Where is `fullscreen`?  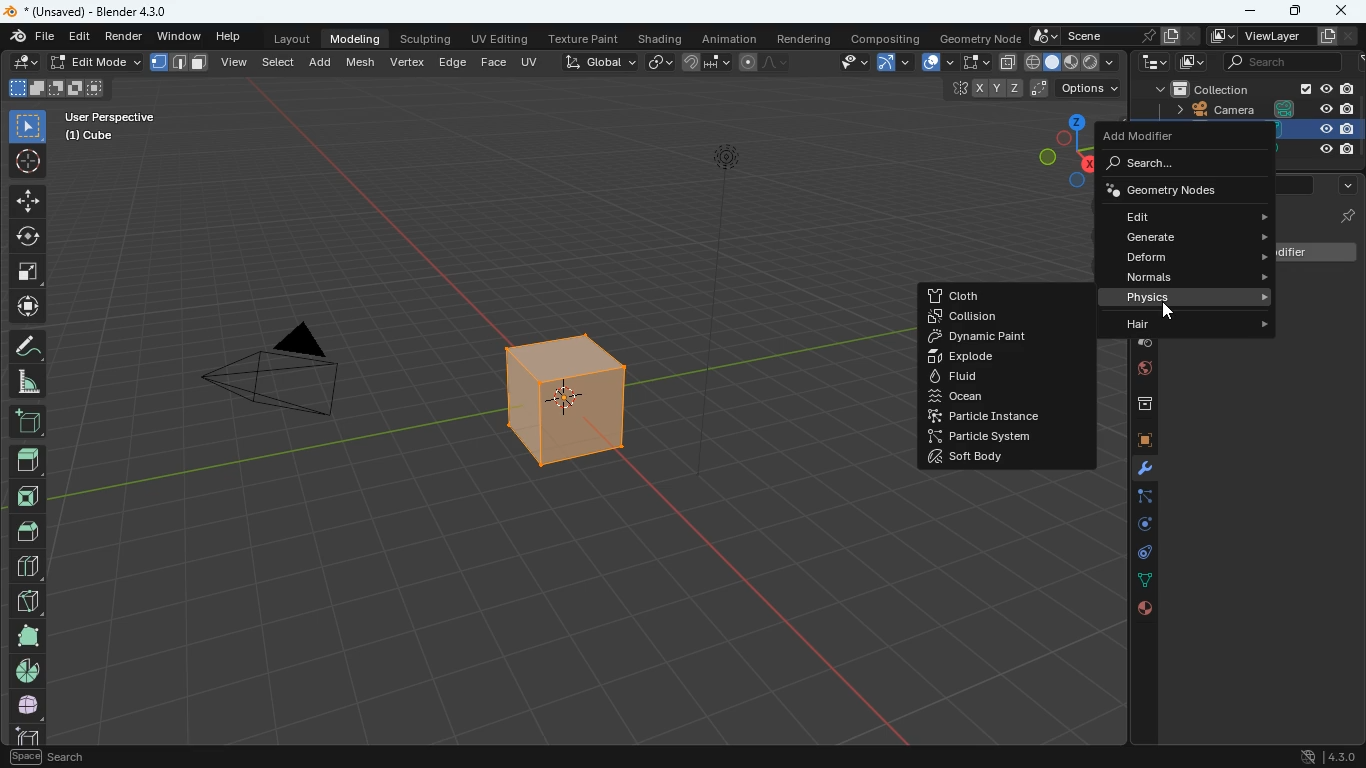
fullscreen is located at coordinates (29, 269).